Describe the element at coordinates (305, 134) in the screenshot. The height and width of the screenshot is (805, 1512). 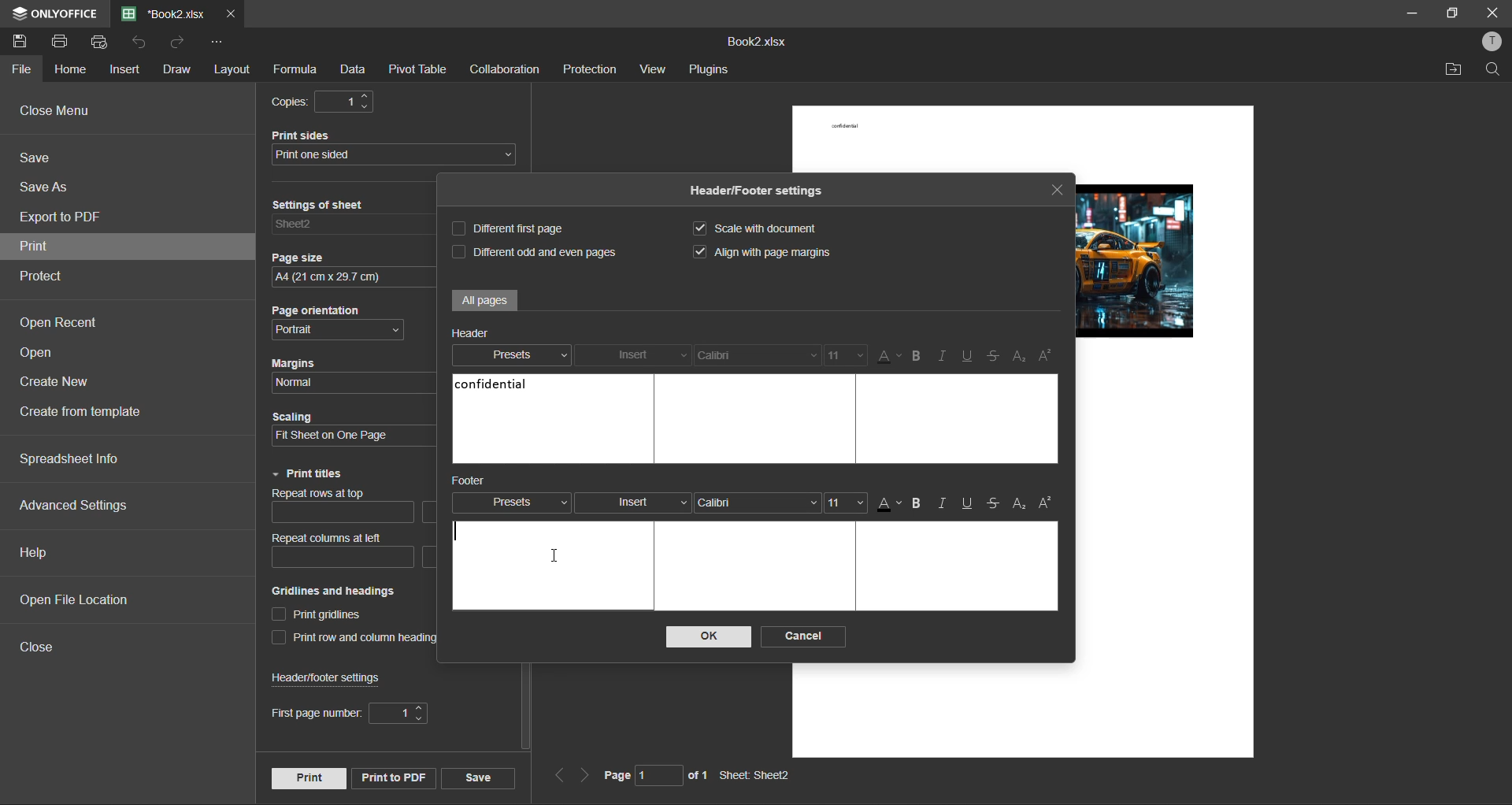
I see `Print sides` at that location.